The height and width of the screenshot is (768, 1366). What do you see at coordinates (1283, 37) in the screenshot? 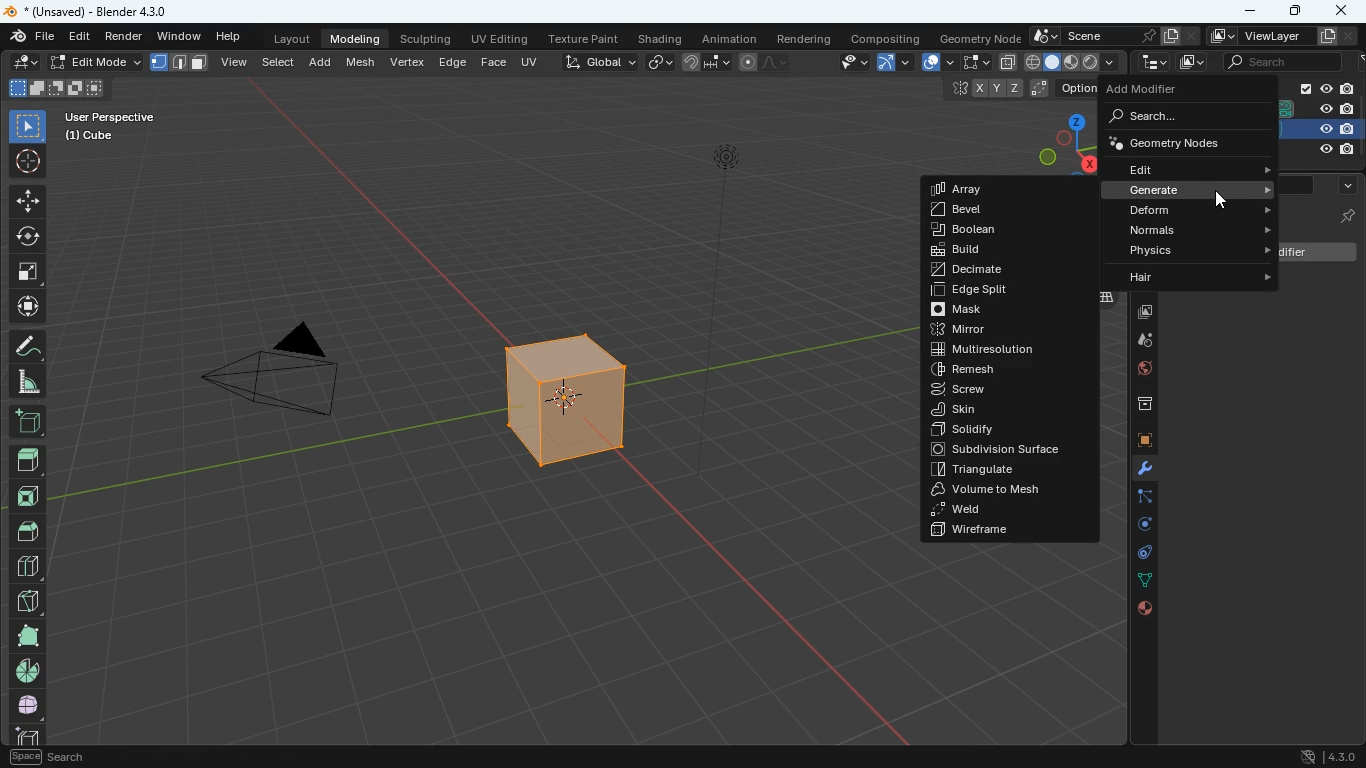
I see `viewlayer` at bounding box center [1283, 37].